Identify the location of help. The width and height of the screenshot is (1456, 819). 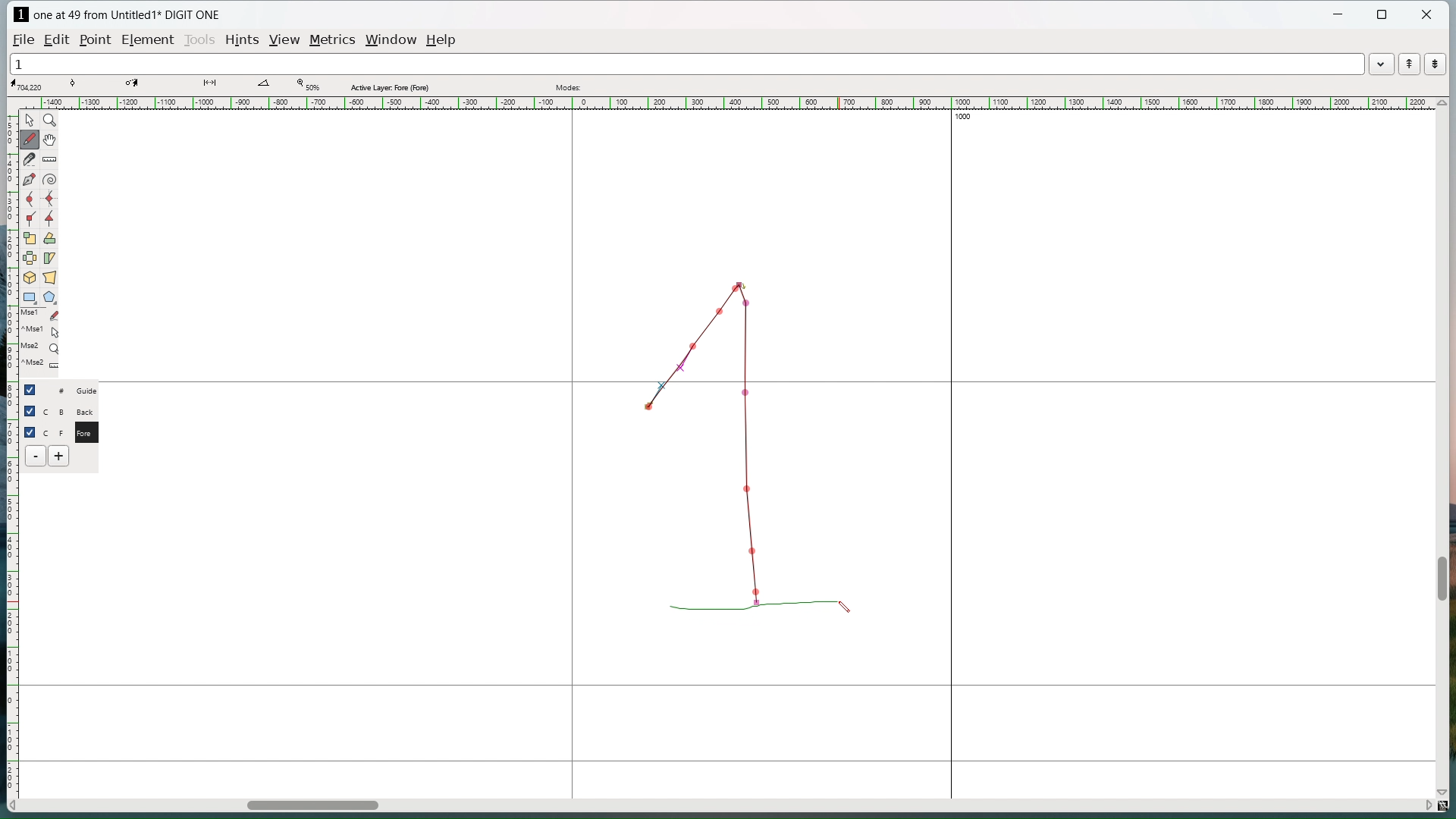
(442, 40).